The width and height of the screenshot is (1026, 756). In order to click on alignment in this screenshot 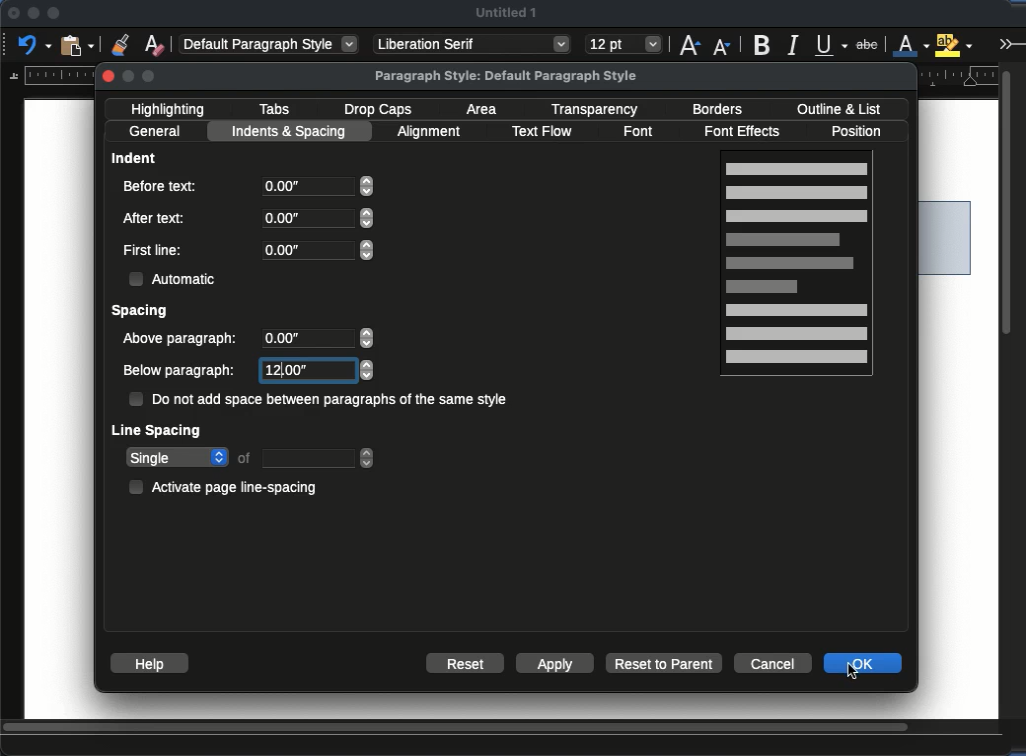, I will do `click(432, 132)`.